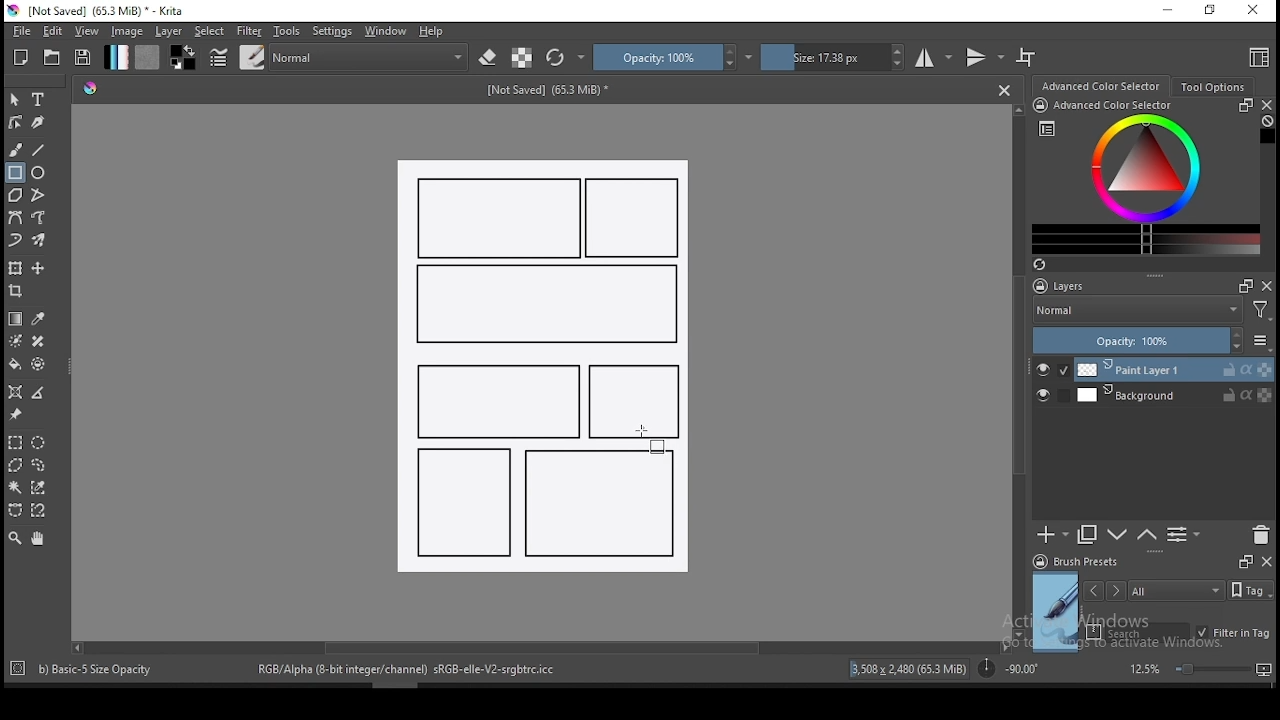  I want to click on Filter, so click(1261, 313).